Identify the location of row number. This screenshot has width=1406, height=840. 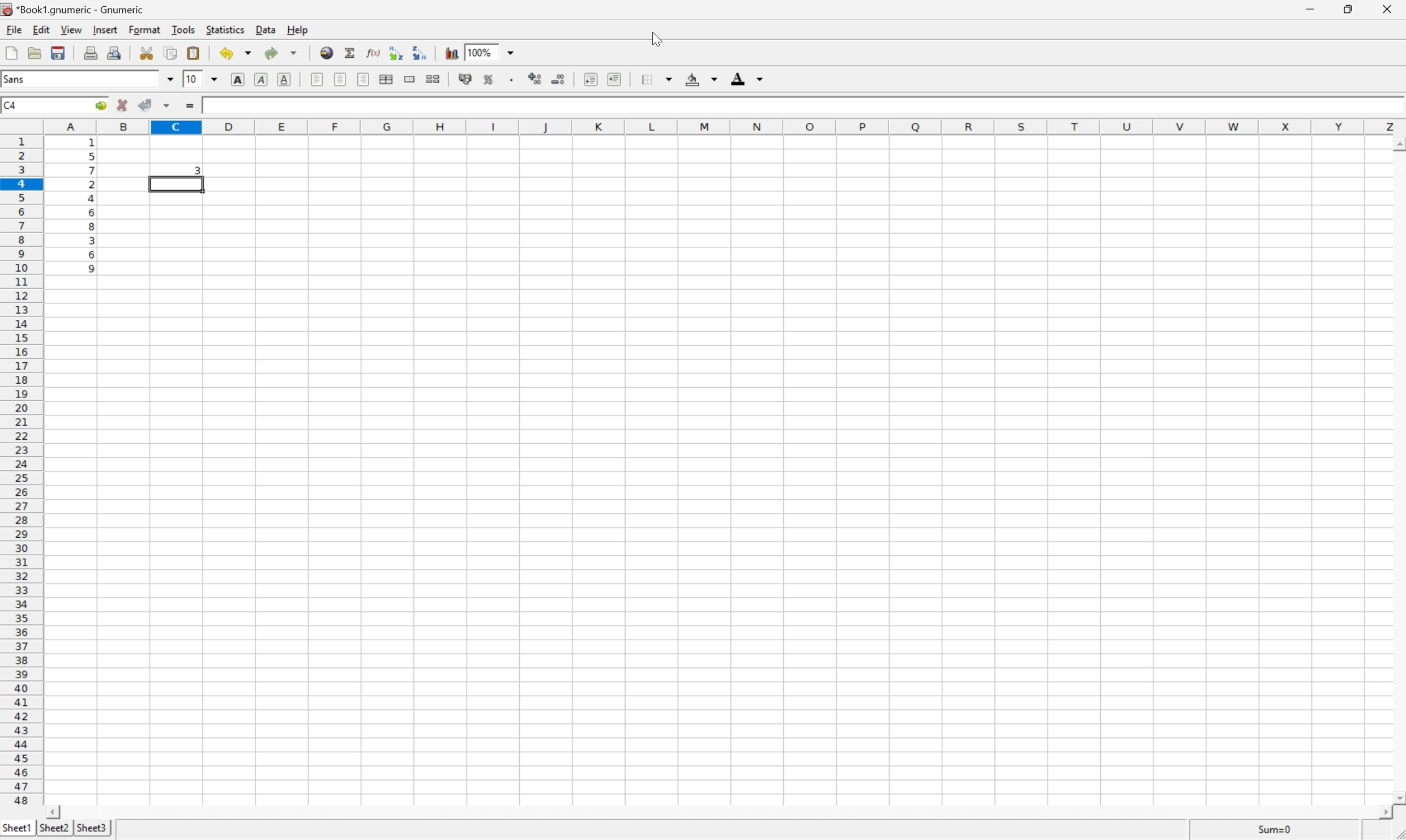
(20, 471).